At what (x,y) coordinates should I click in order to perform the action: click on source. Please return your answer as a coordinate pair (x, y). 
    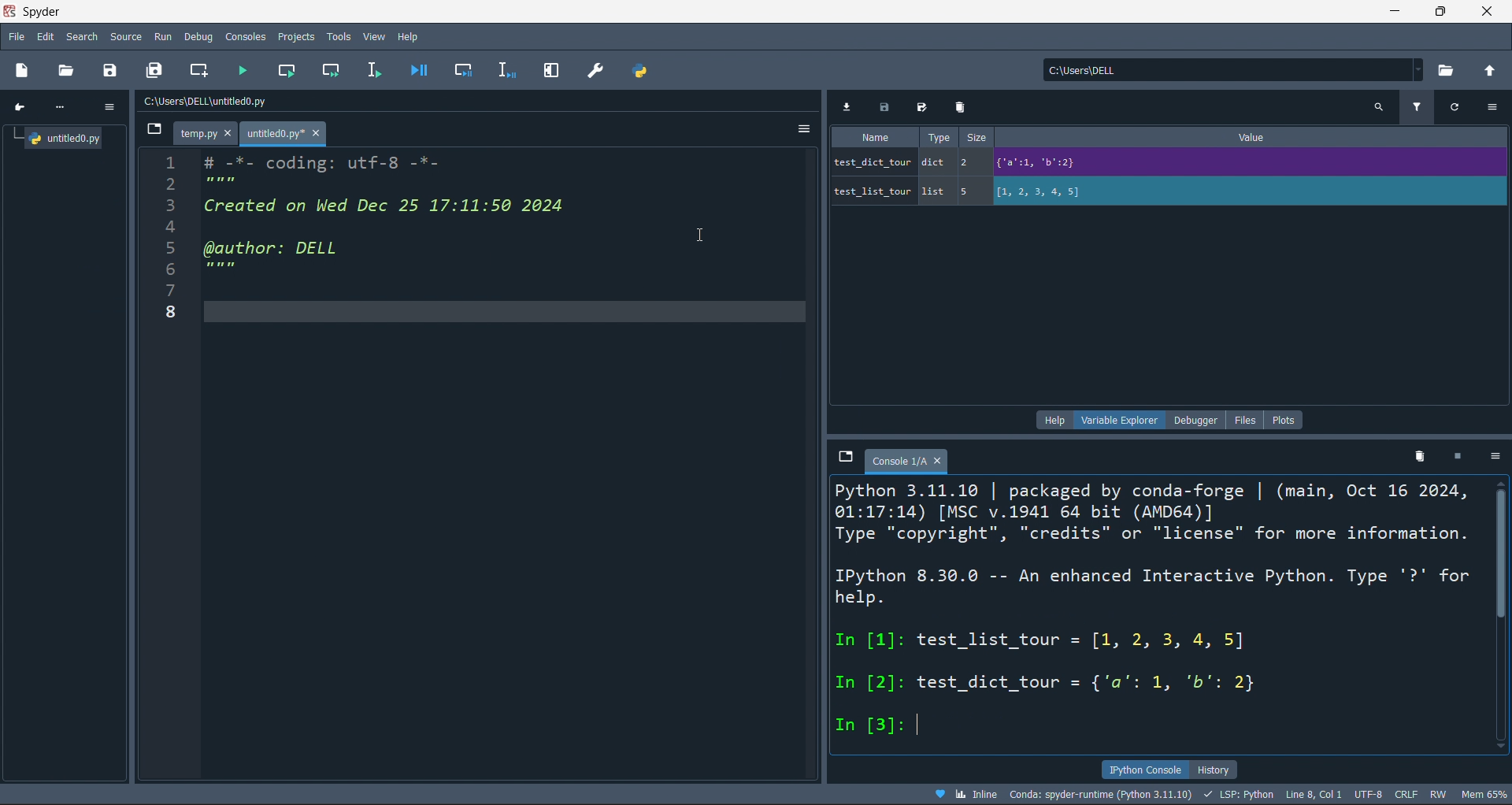
    Looking at the image, I should click on (124, 37).